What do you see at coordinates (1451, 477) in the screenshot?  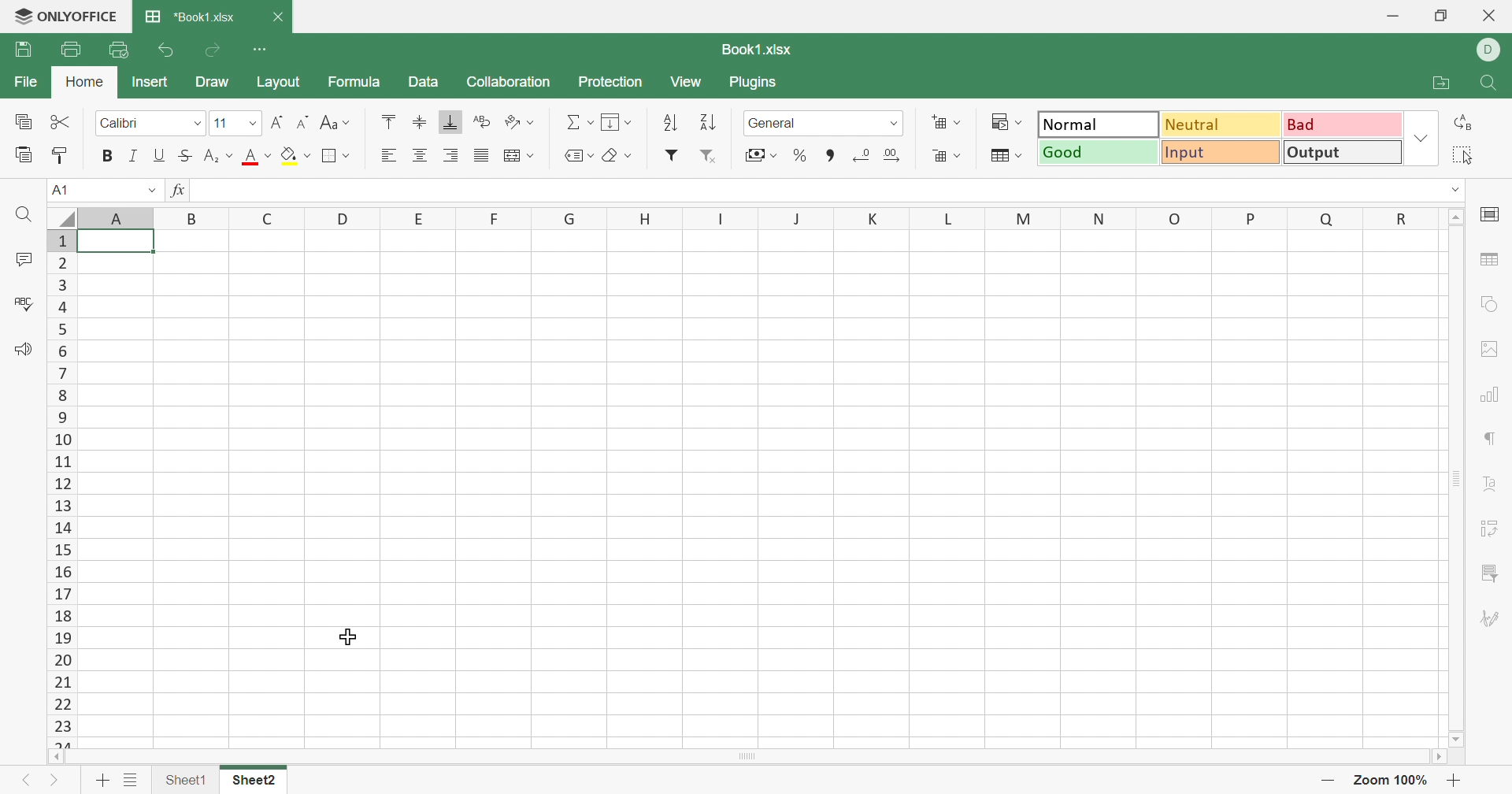 I see `Vertical scroll bar` at bounding box center [1451, 477].